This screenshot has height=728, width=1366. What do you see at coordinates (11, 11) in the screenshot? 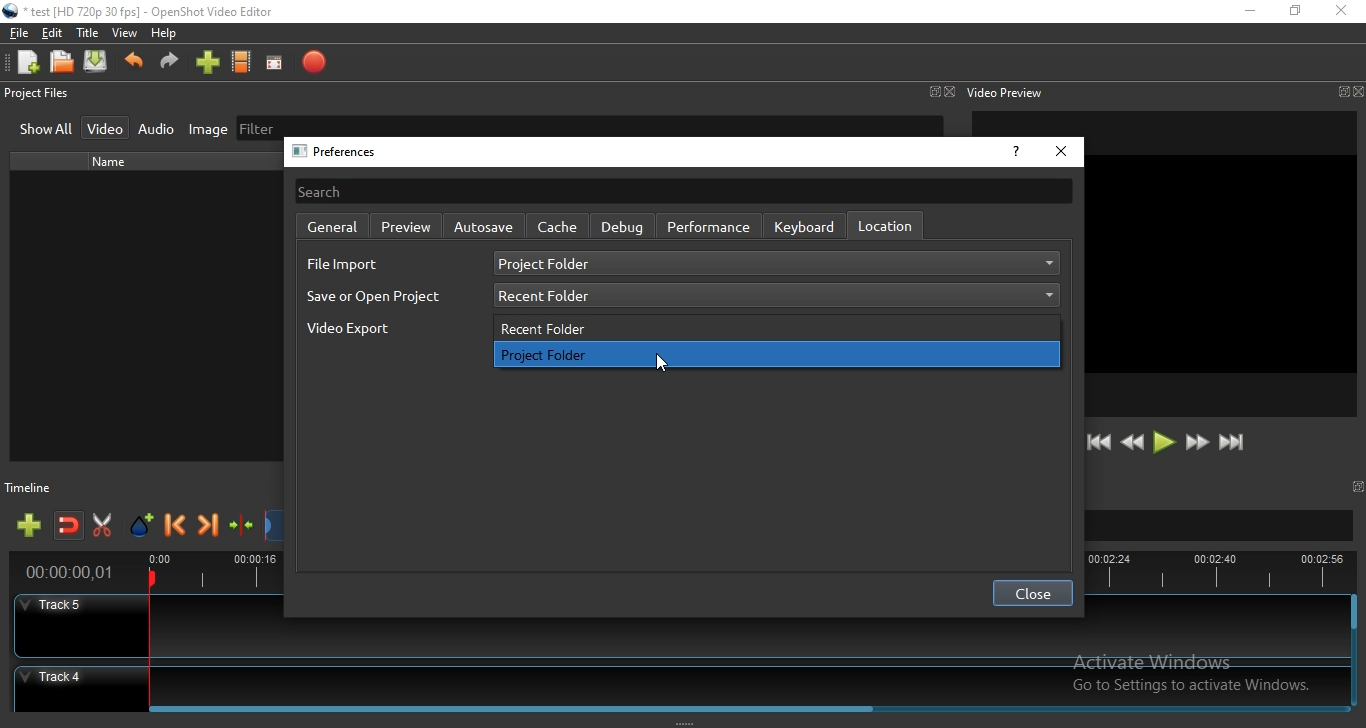
I see `Openshot Desktop icon` at bounding box center [11, 11].